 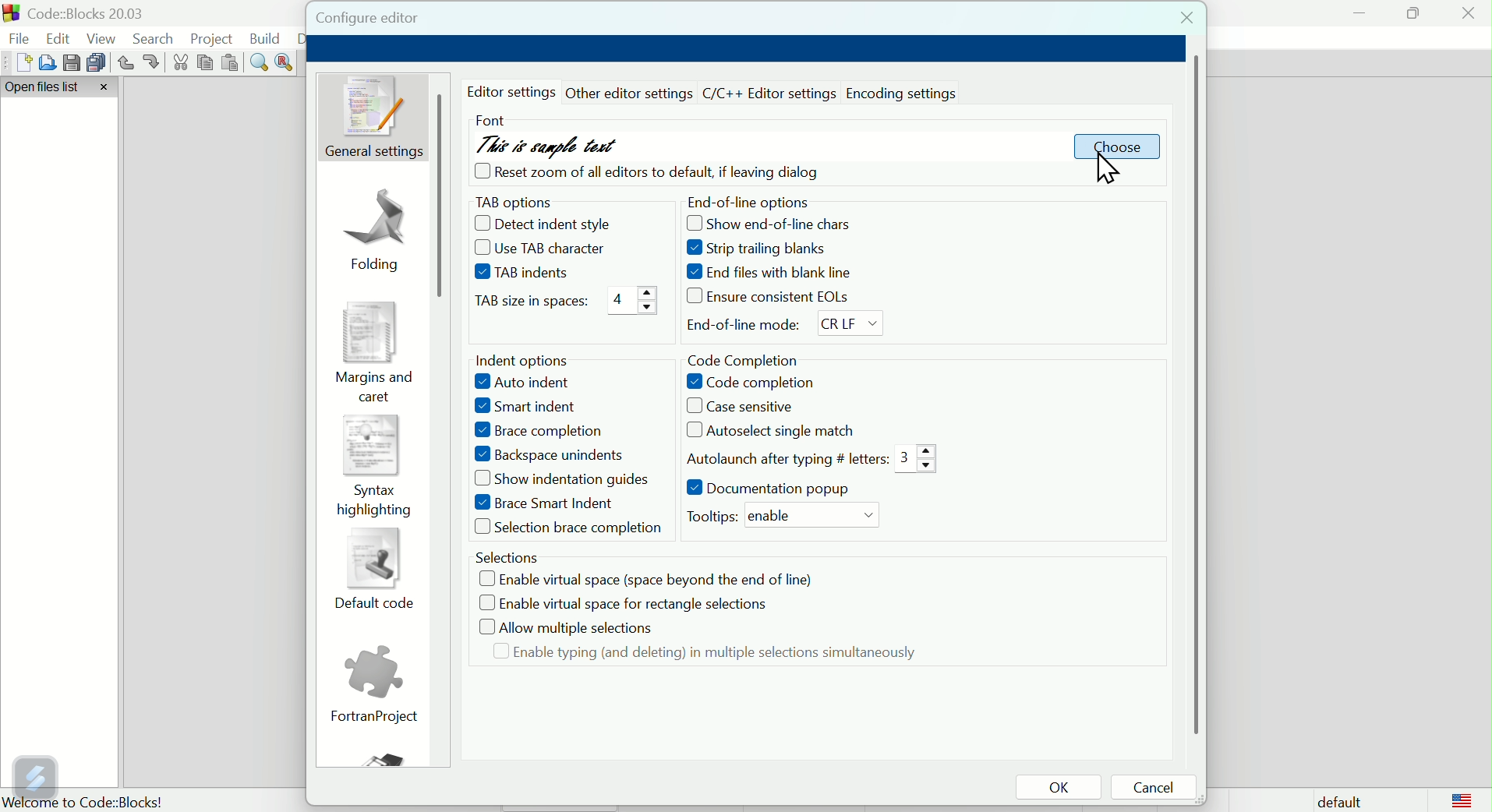 What do you see at coordinates (1462, 800) in the screenshot?
I see `logo` at bounding box center [1462, 800].